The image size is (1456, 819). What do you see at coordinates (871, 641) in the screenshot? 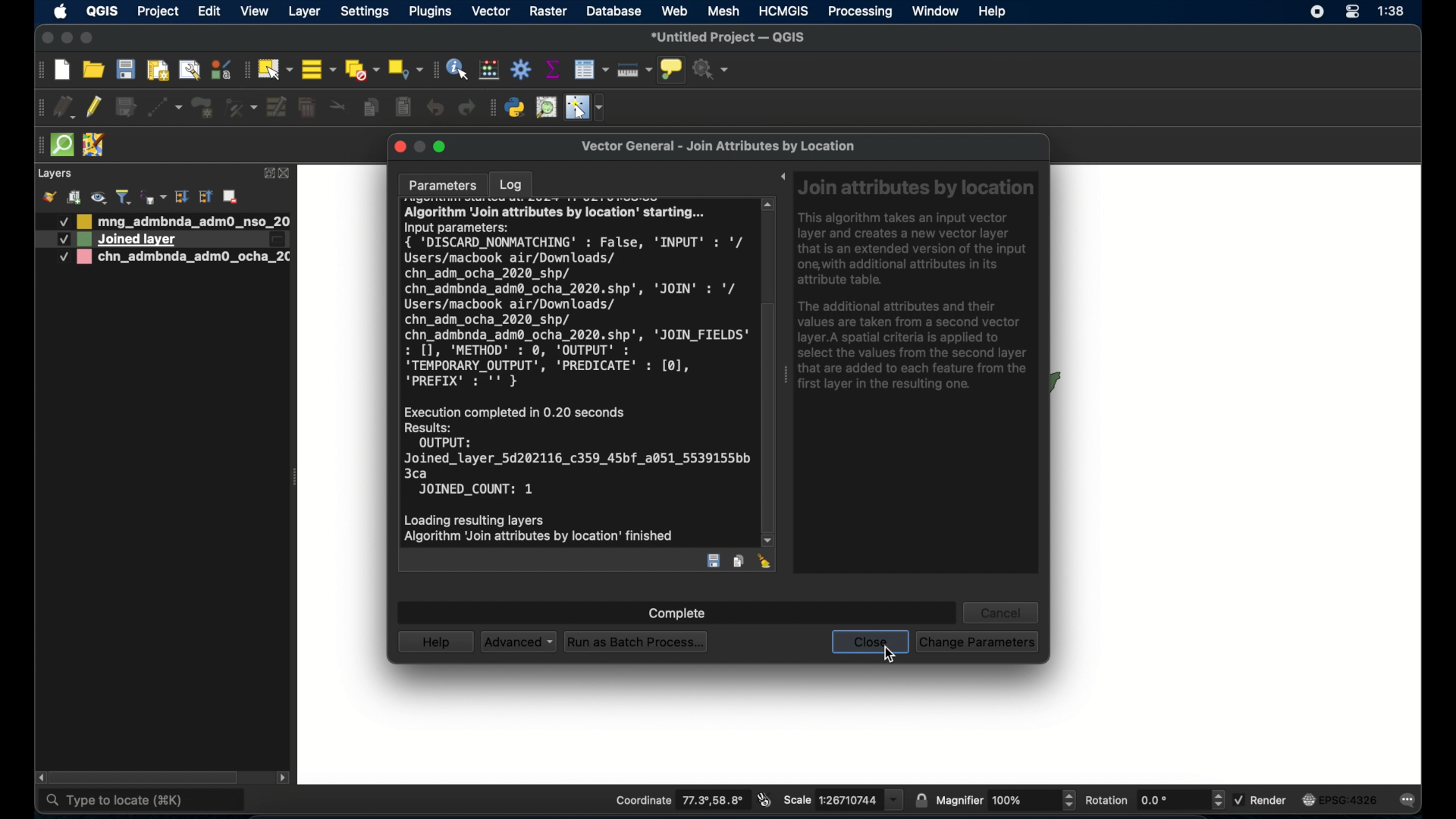
I see `close` at bounding box center [871, 641].